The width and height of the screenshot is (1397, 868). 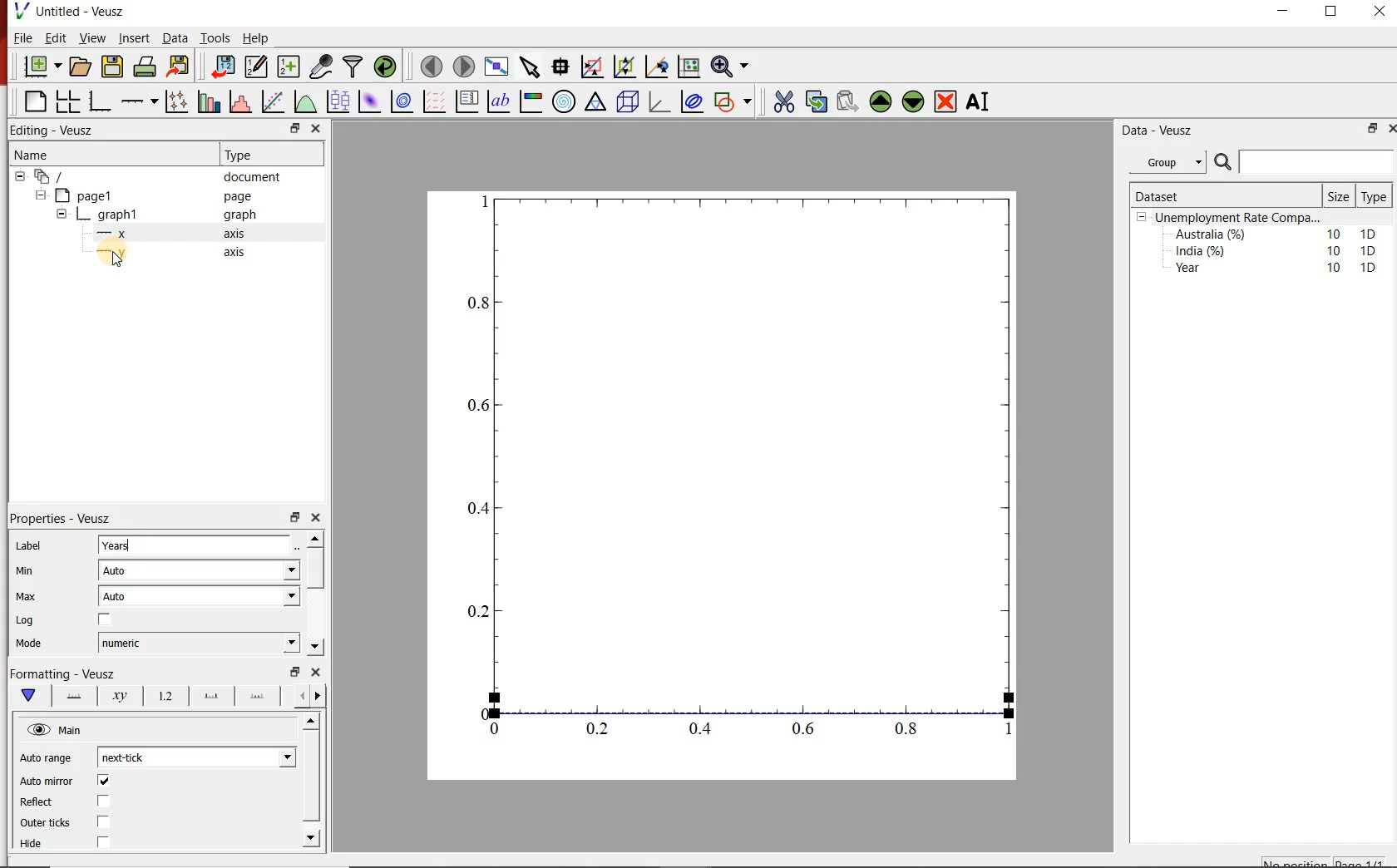 What do you see at coordinates (1142, 218) in the screenshot?
I see `collpase` at bounding box center [1142, 218].